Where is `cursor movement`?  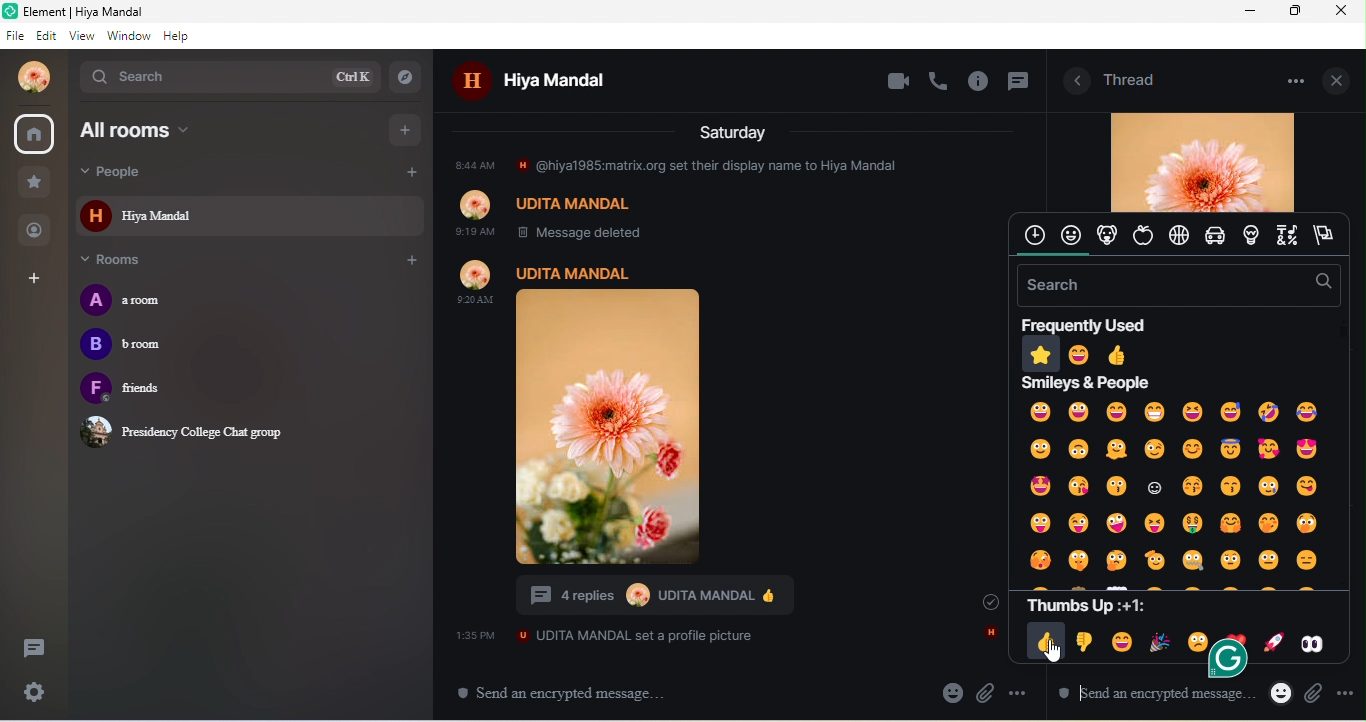 cursor movement is located at coordinates (1054, 653).